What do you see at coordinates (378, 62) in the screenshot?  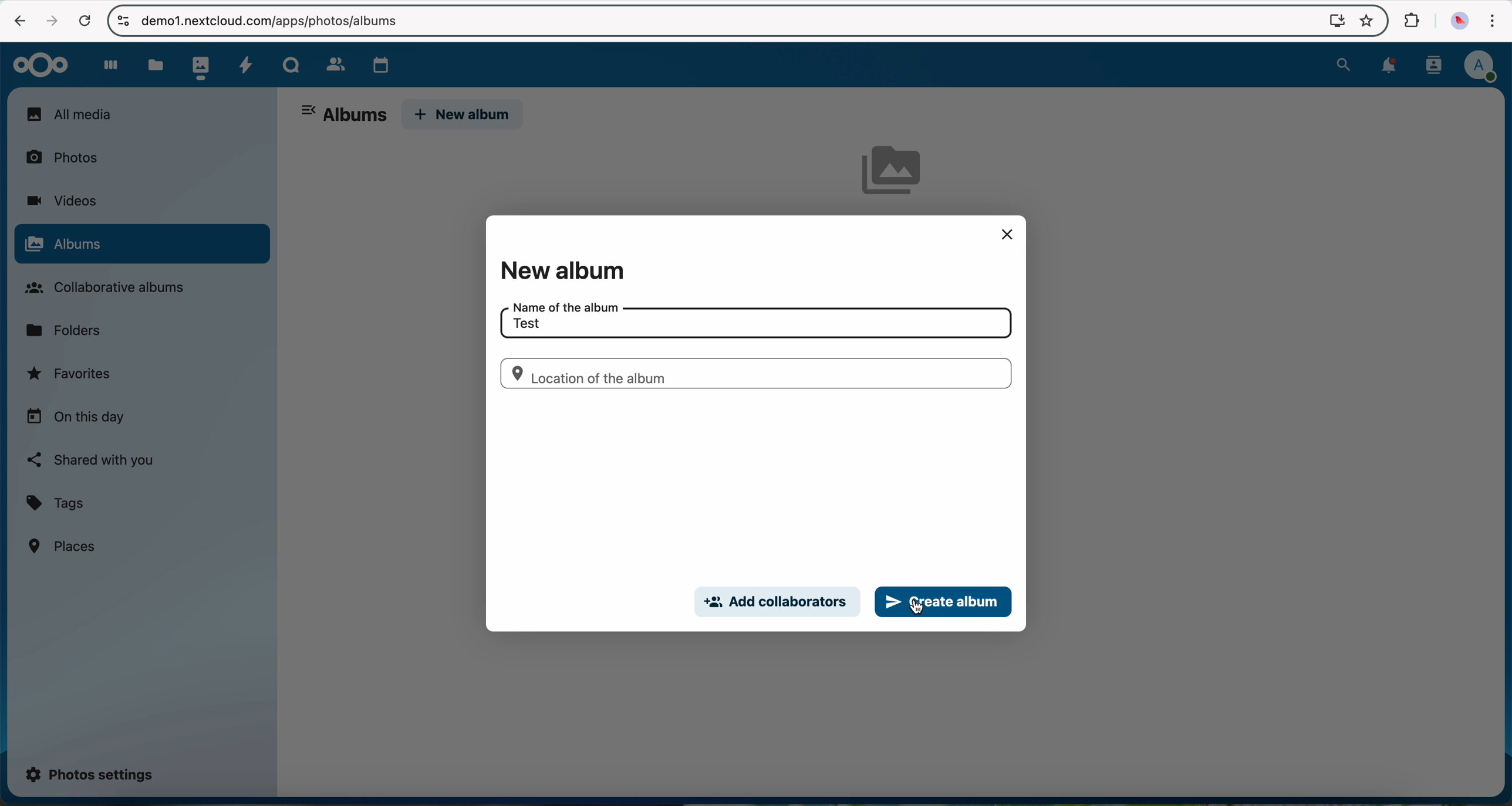 I see `calendar` at bounding box center [378, 62].